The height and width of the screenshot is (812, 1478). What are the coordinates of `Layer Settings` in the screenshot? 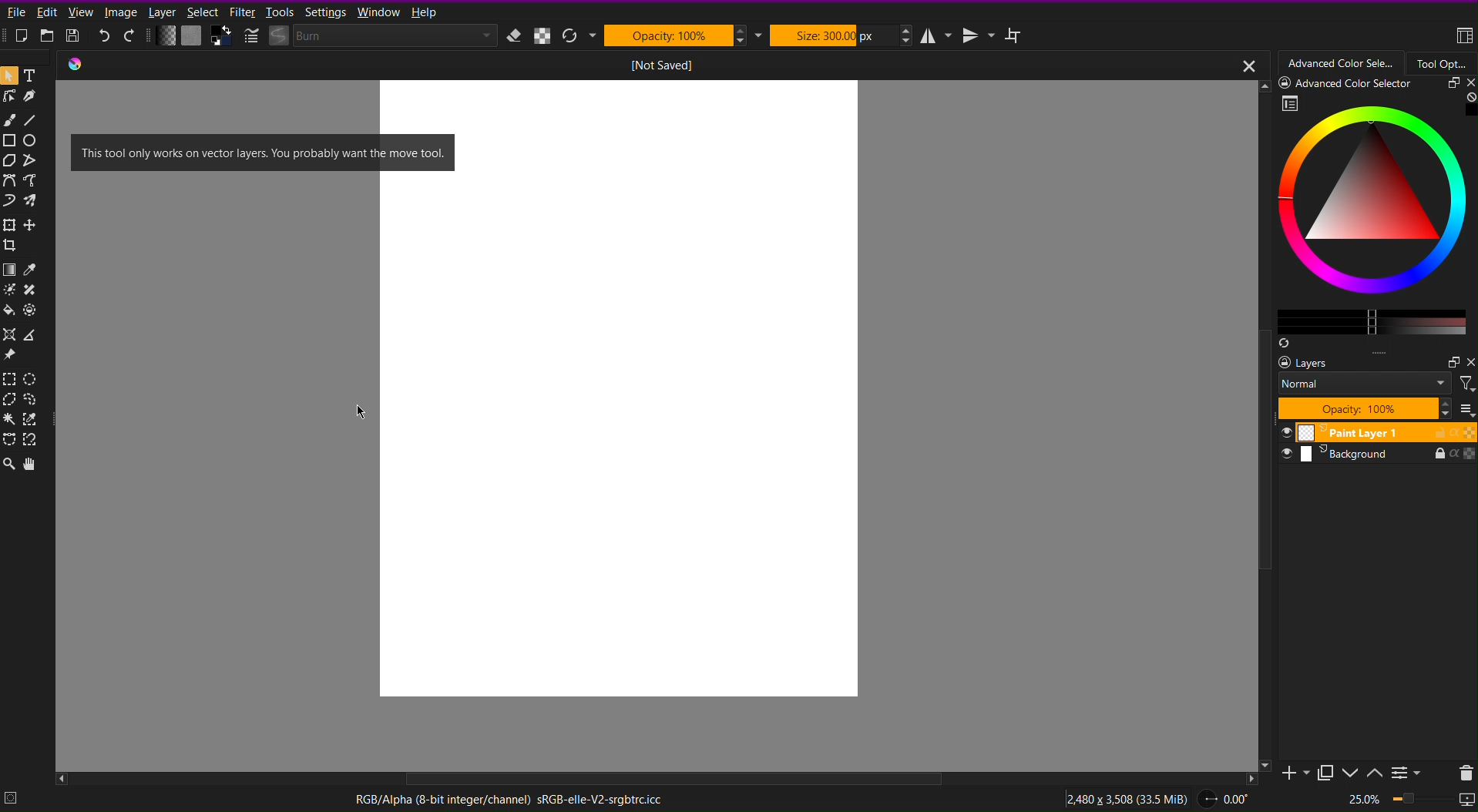 It's located at (1374, 386).